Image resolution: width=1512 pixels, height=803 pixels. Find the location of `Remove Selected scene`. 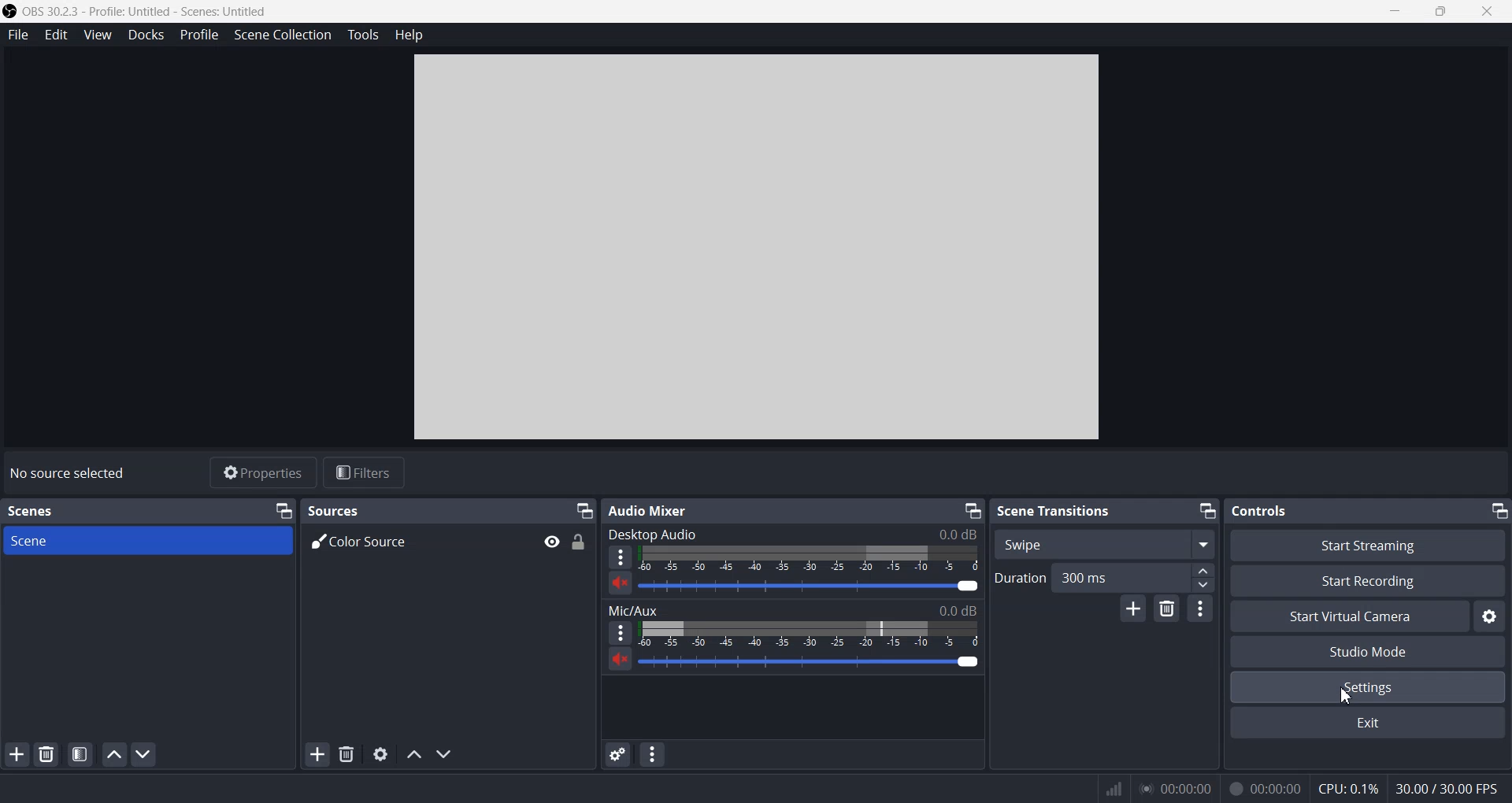

Remove Selected scene is located at coordinates (346, 754).